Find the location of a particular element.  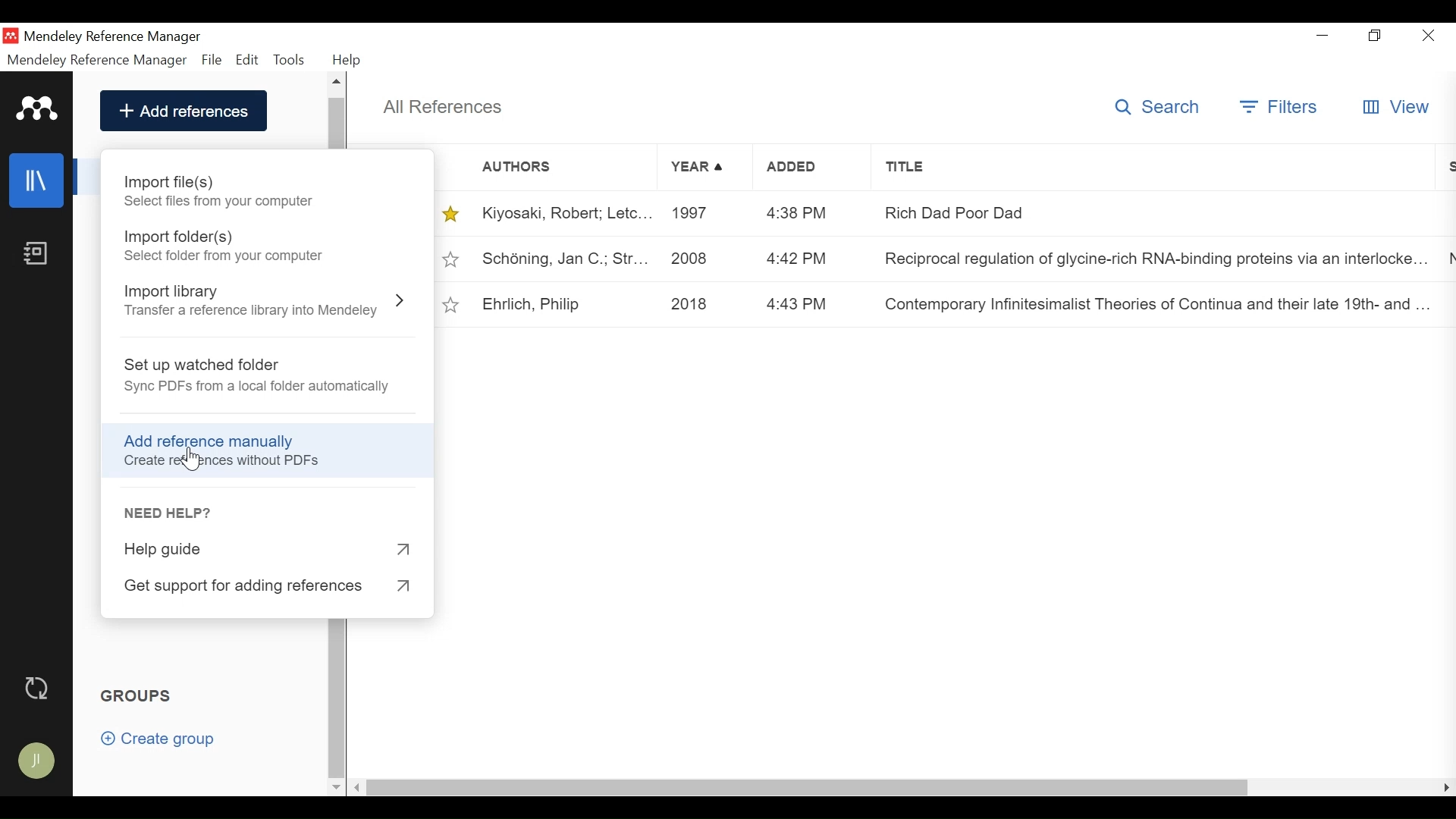

View is located at coordinates (1398, 108).